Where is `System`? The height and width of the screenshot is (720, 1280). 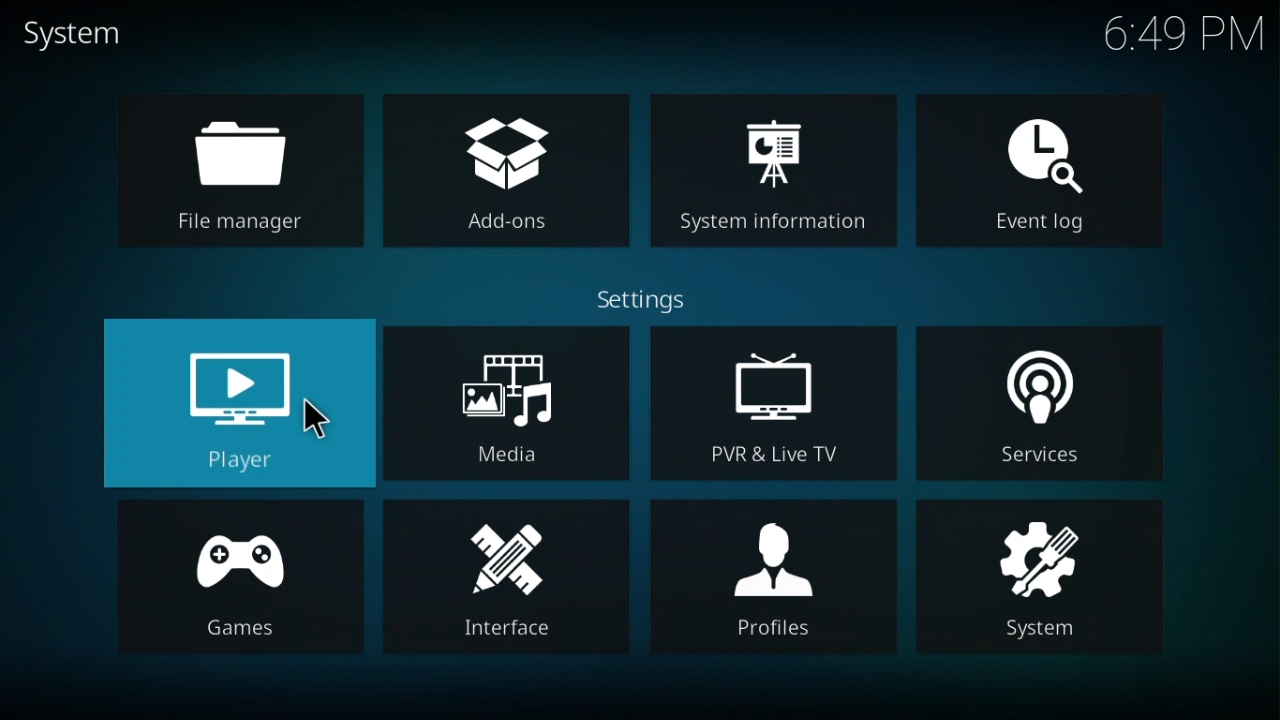 System is located at coordinates (85, 28).